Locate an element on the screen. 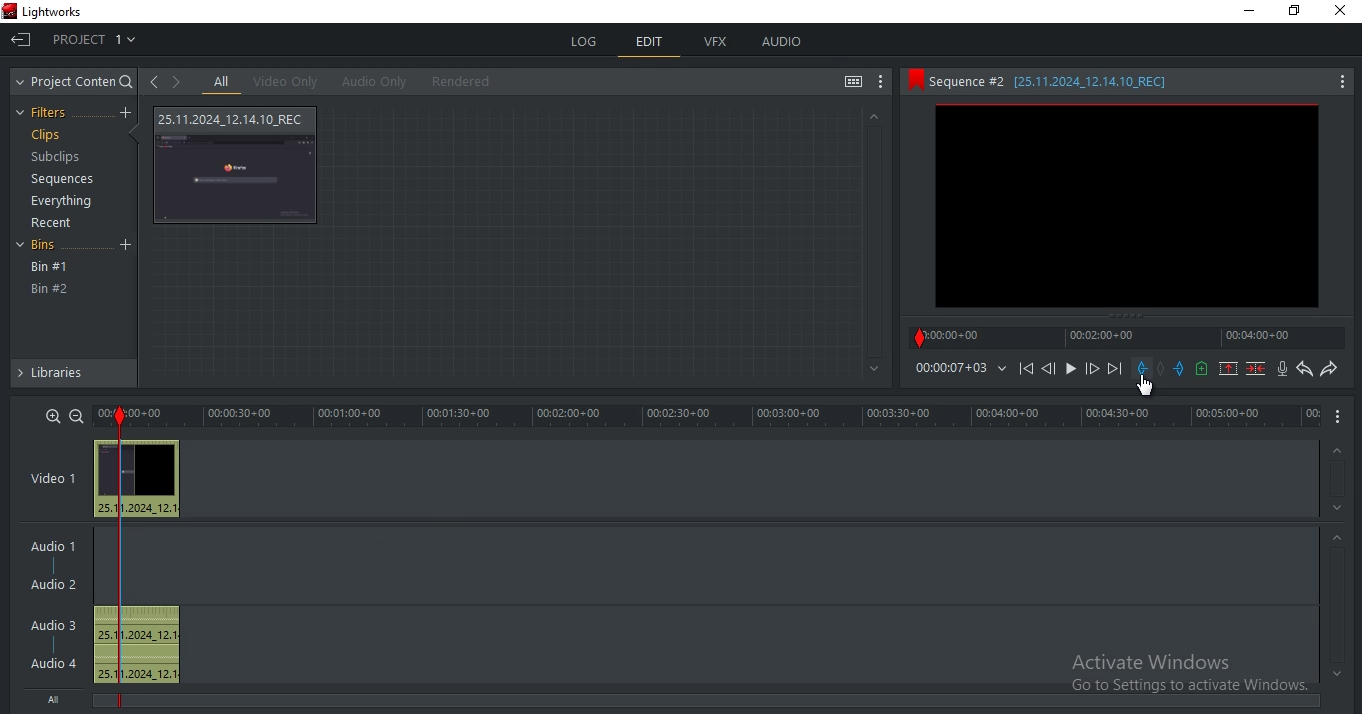  add a in mark is located at coordinates (1143, 369).